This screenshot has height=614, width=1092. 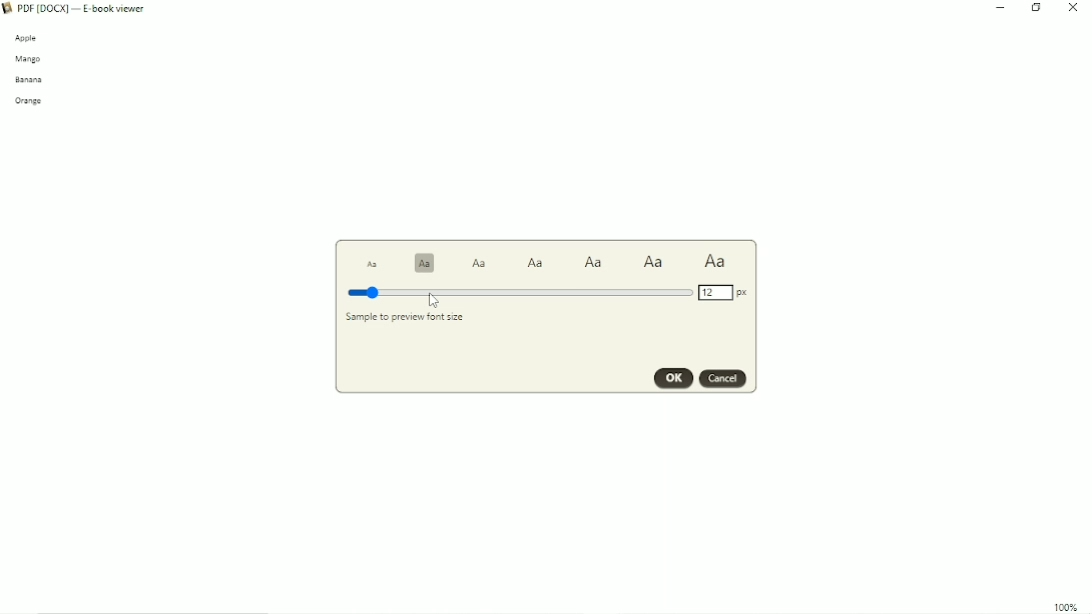 What do you see at coordinates (26, 40) in the screenshot?
I see `apple` at bounding box center [26, 40].